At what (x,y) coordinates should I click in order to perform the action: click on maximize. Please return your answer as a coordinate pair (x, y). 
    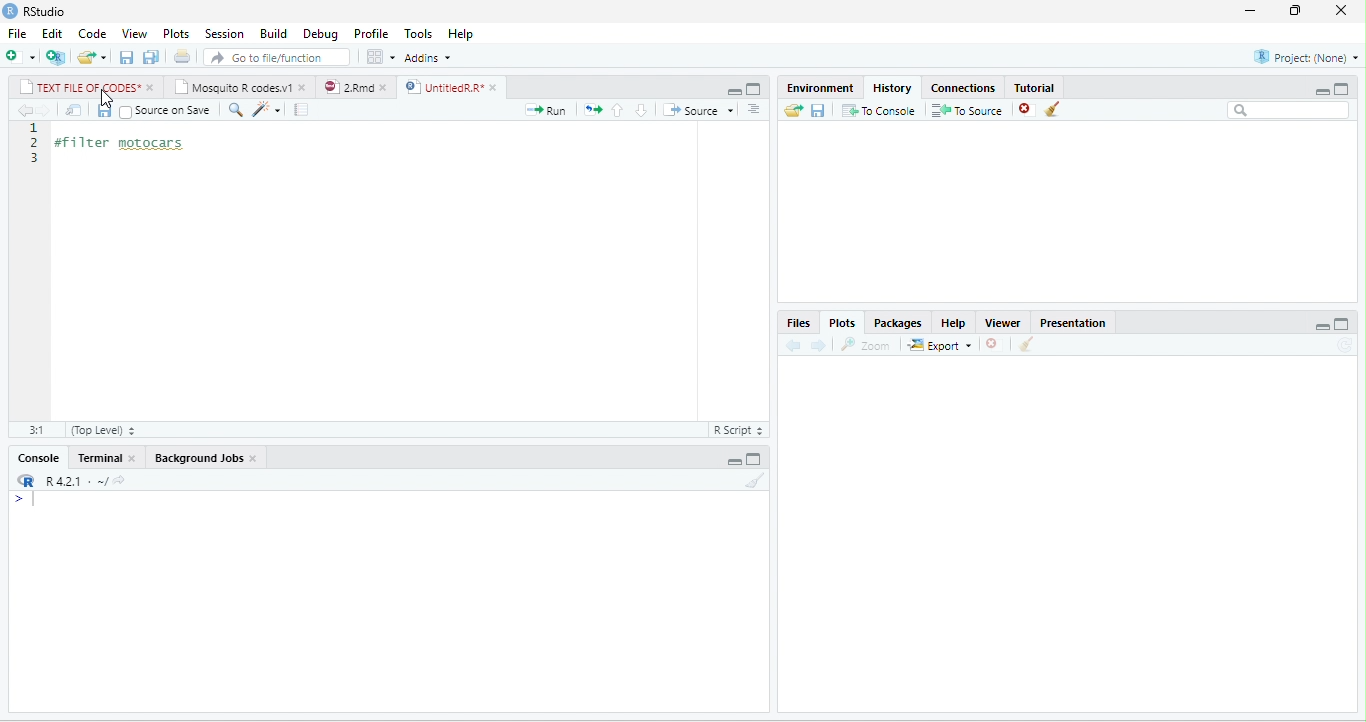
    Looking at the image, I should click on (1342, 324).